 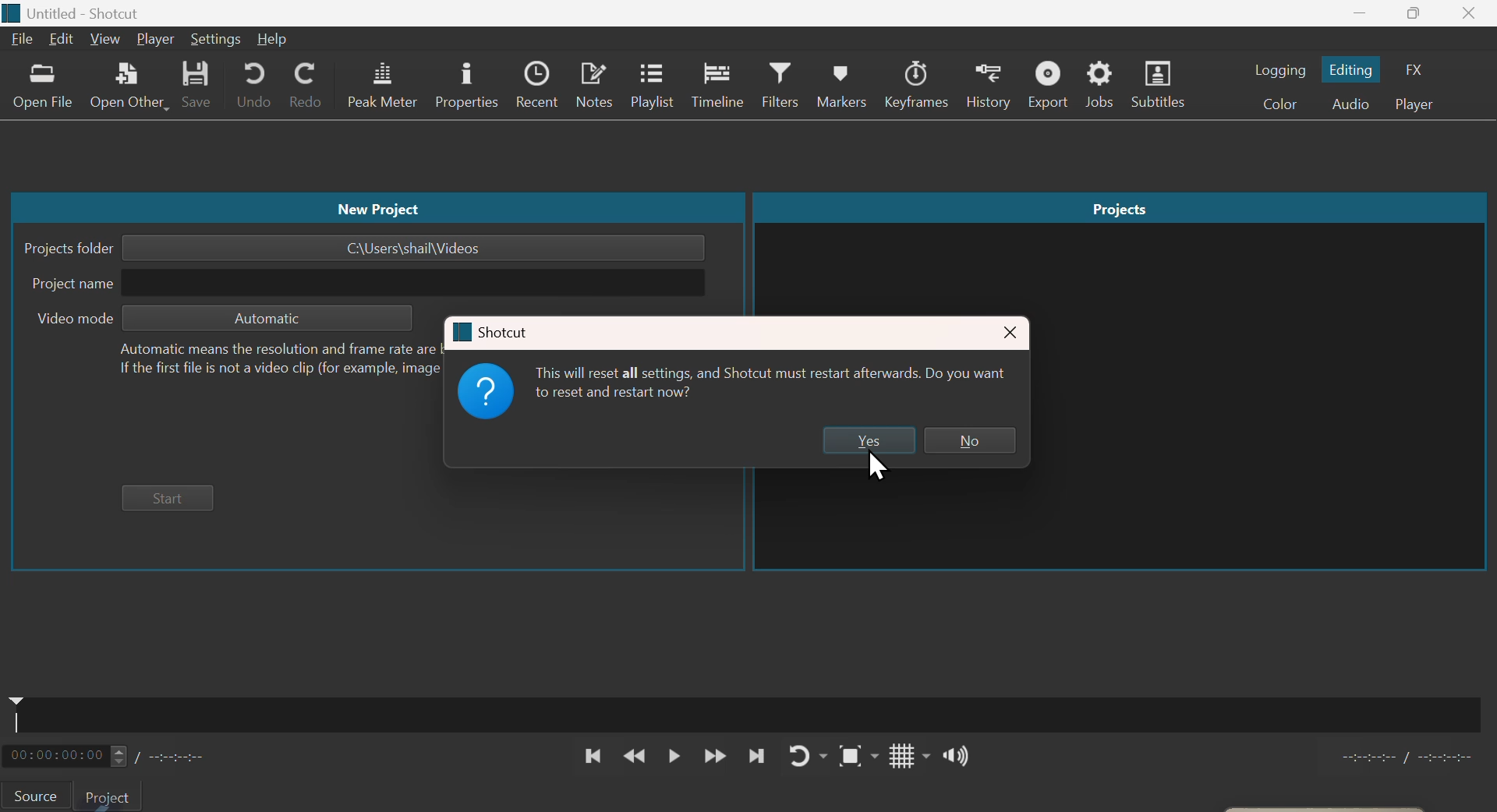 What do you see at coordinates (38, 795) in the screenshot?
I see `Source` at bounding box center [38, 795].